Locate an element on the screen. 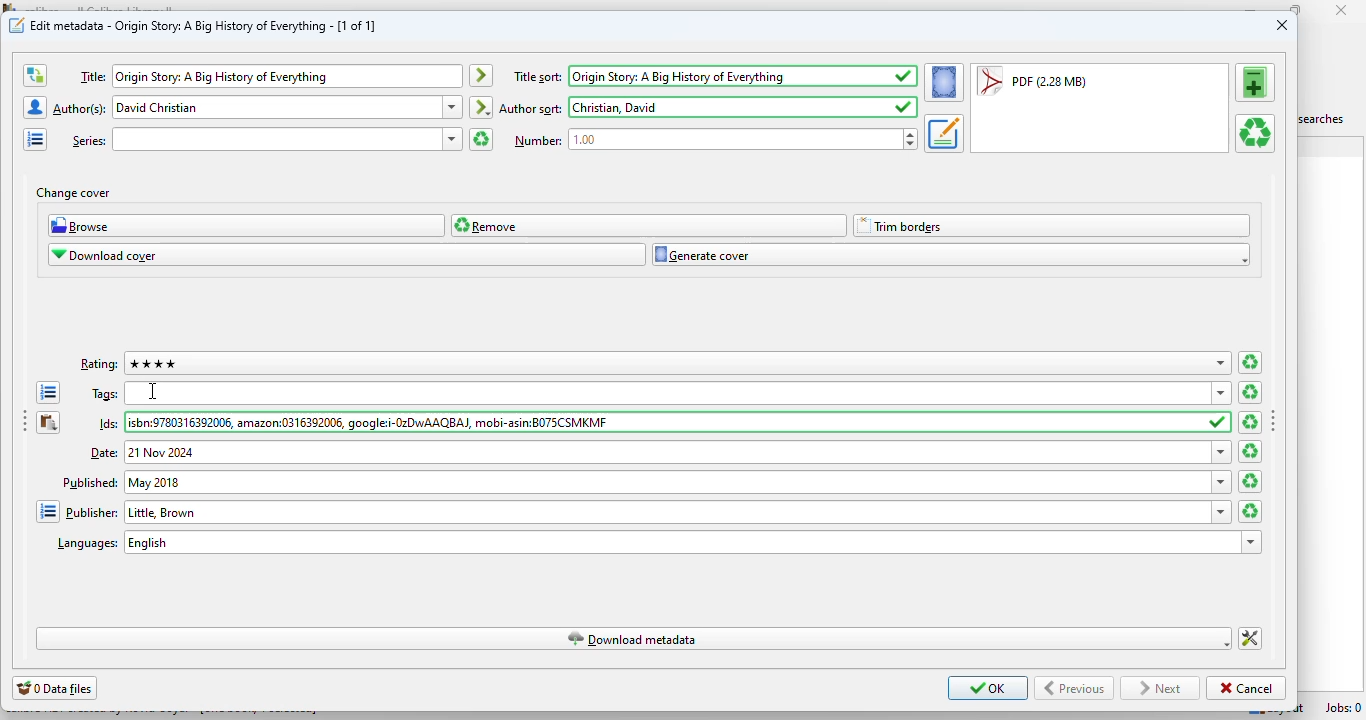 Image resolution: width=1366 pixels, height=720 pixels. Author(s): David Christian is located at coordinates (277, 108).